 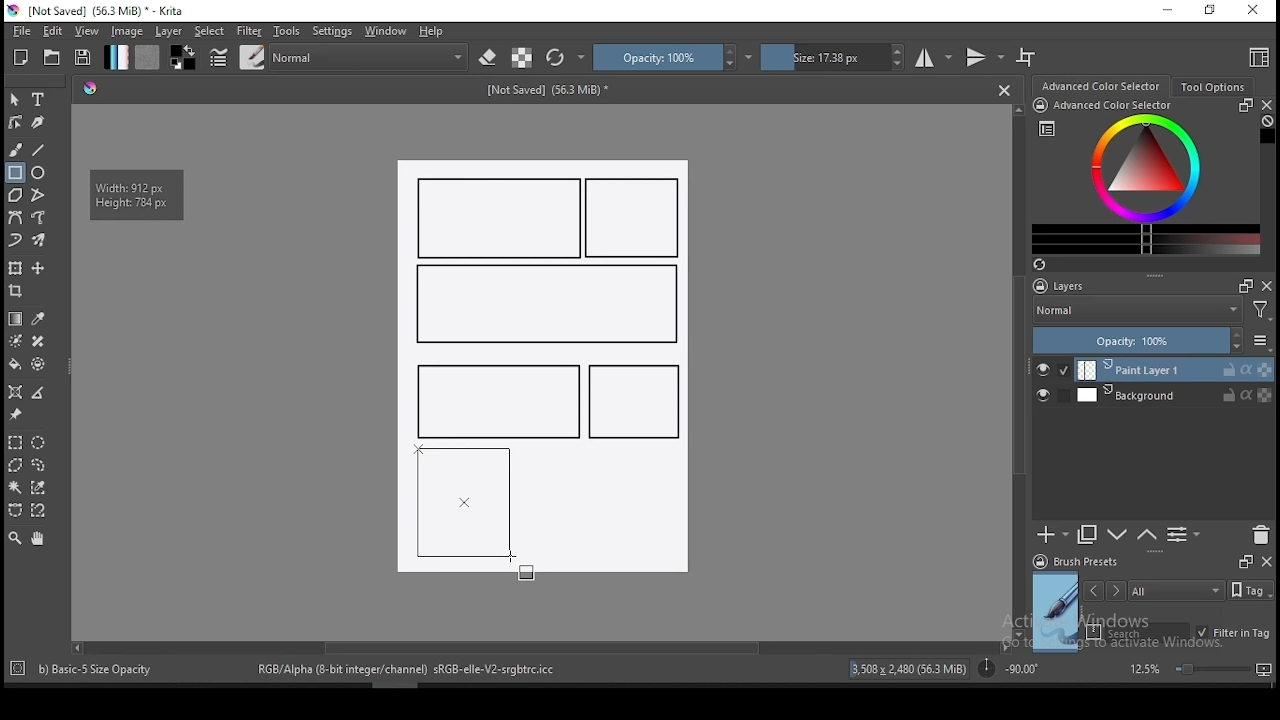 What do you see at coordinates (170, 31) in the screenshot?
I see `layer` at bounding box center [170, 31].